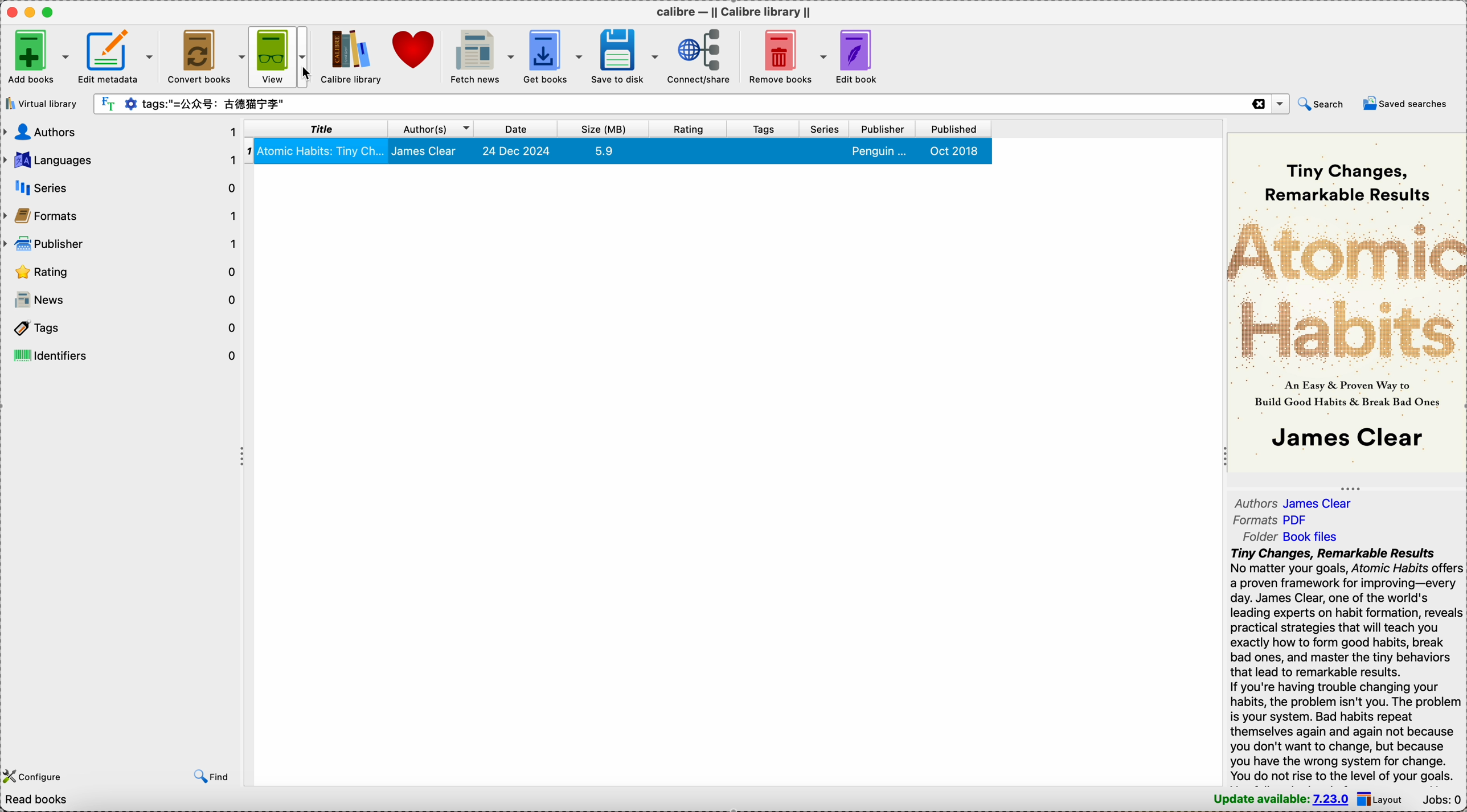 This screenshot has height=812, width=1467. What do you see at coordinates (435, 130) in the screenshot?
I see `author(s)` at bounding box center [435, 130].